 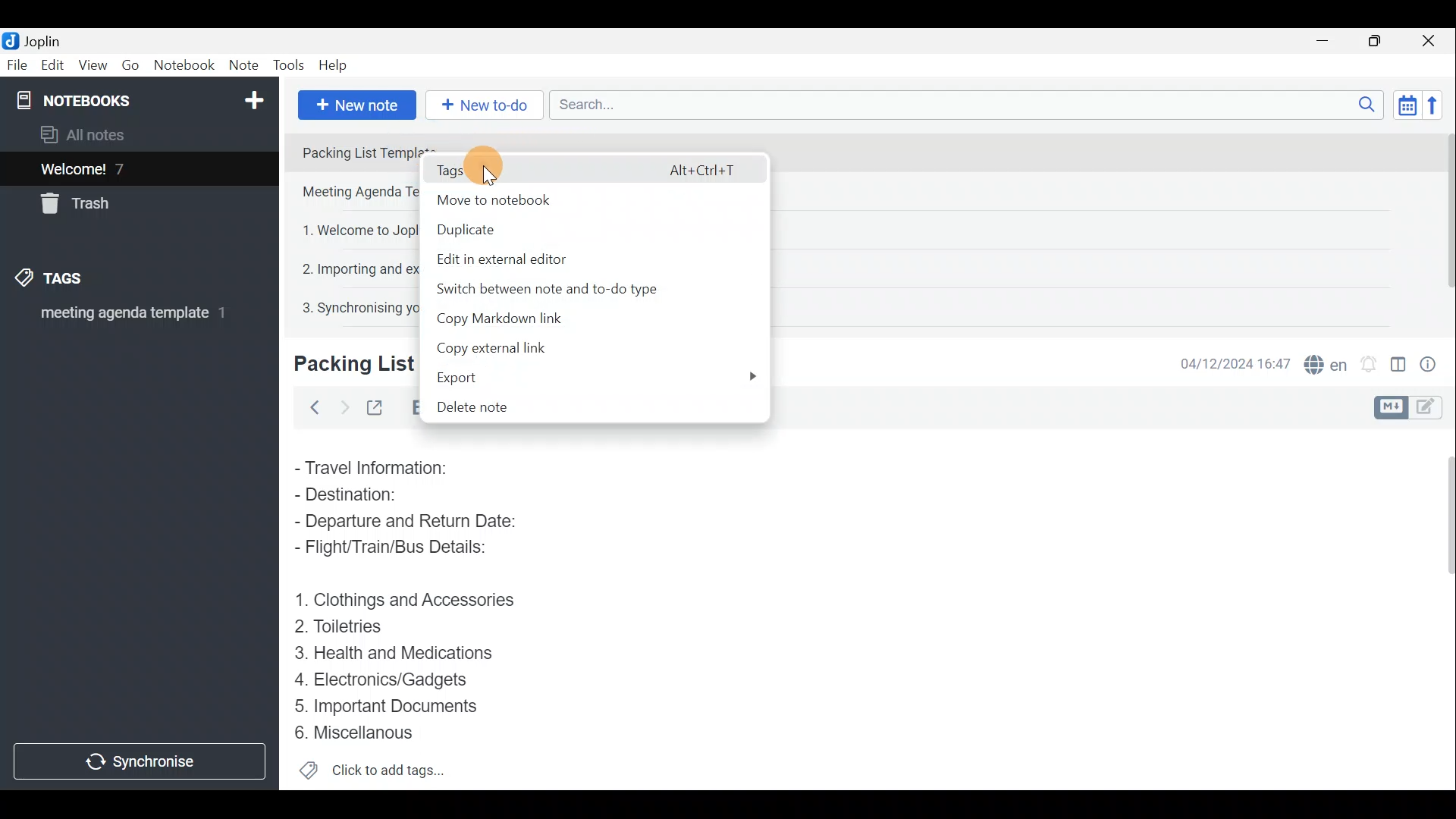 I want to click on Note 2, so click(x=348, y=193).